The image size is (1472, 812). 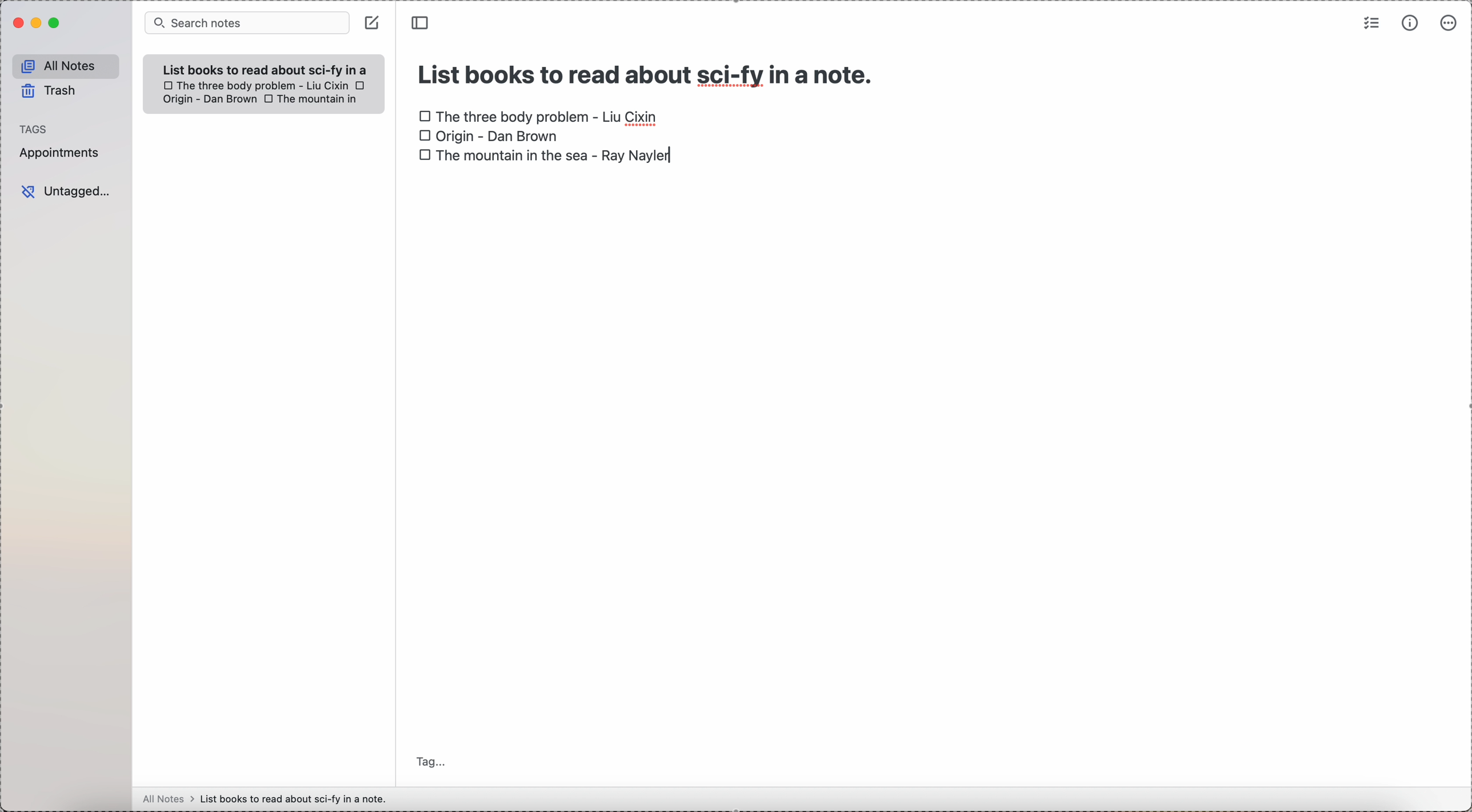 I want to click on all notes > List books to read about sci-fy in a note., so click(x=268, y=798).